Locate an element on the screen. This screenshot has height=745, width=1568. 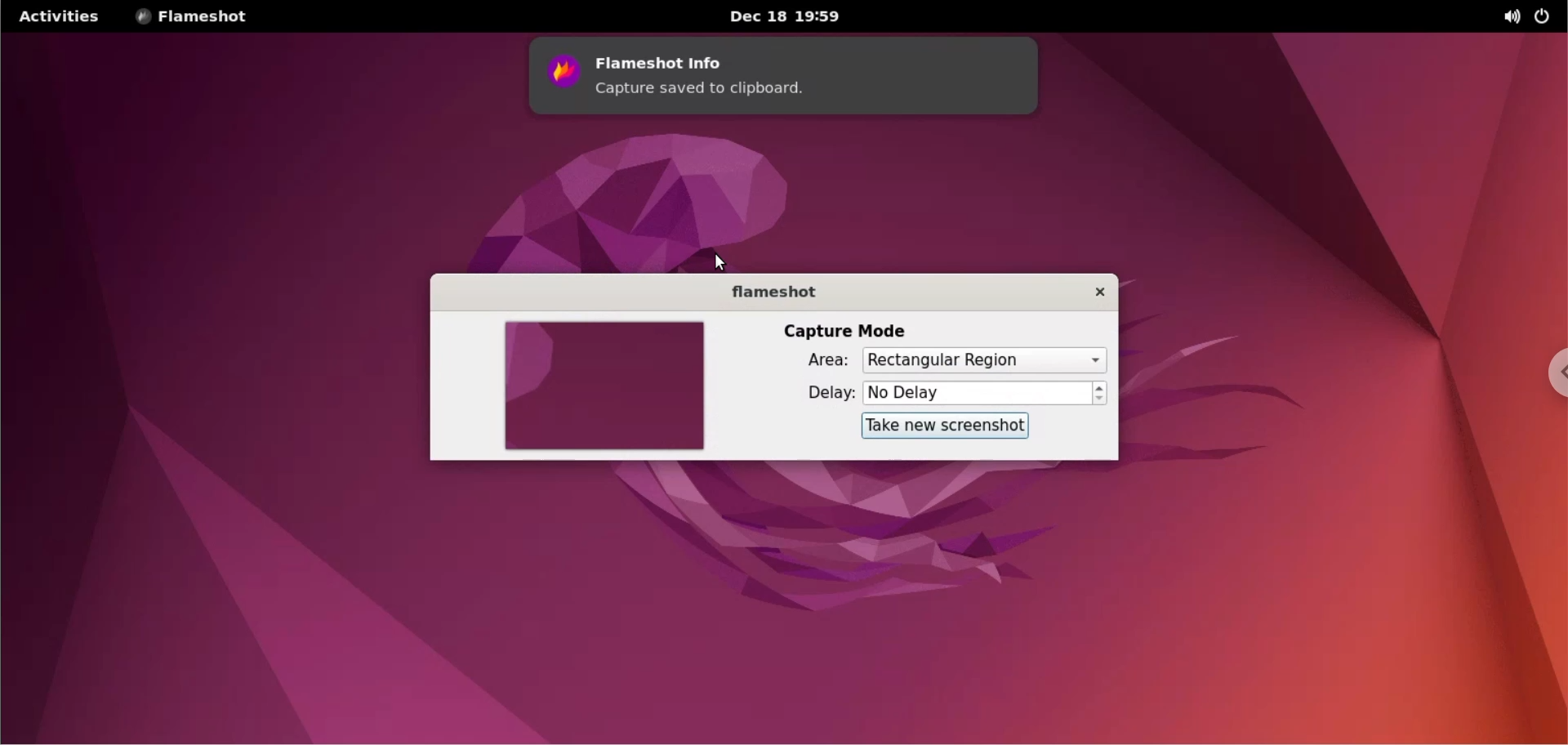
on/off is located at coordinates (1549, 15).